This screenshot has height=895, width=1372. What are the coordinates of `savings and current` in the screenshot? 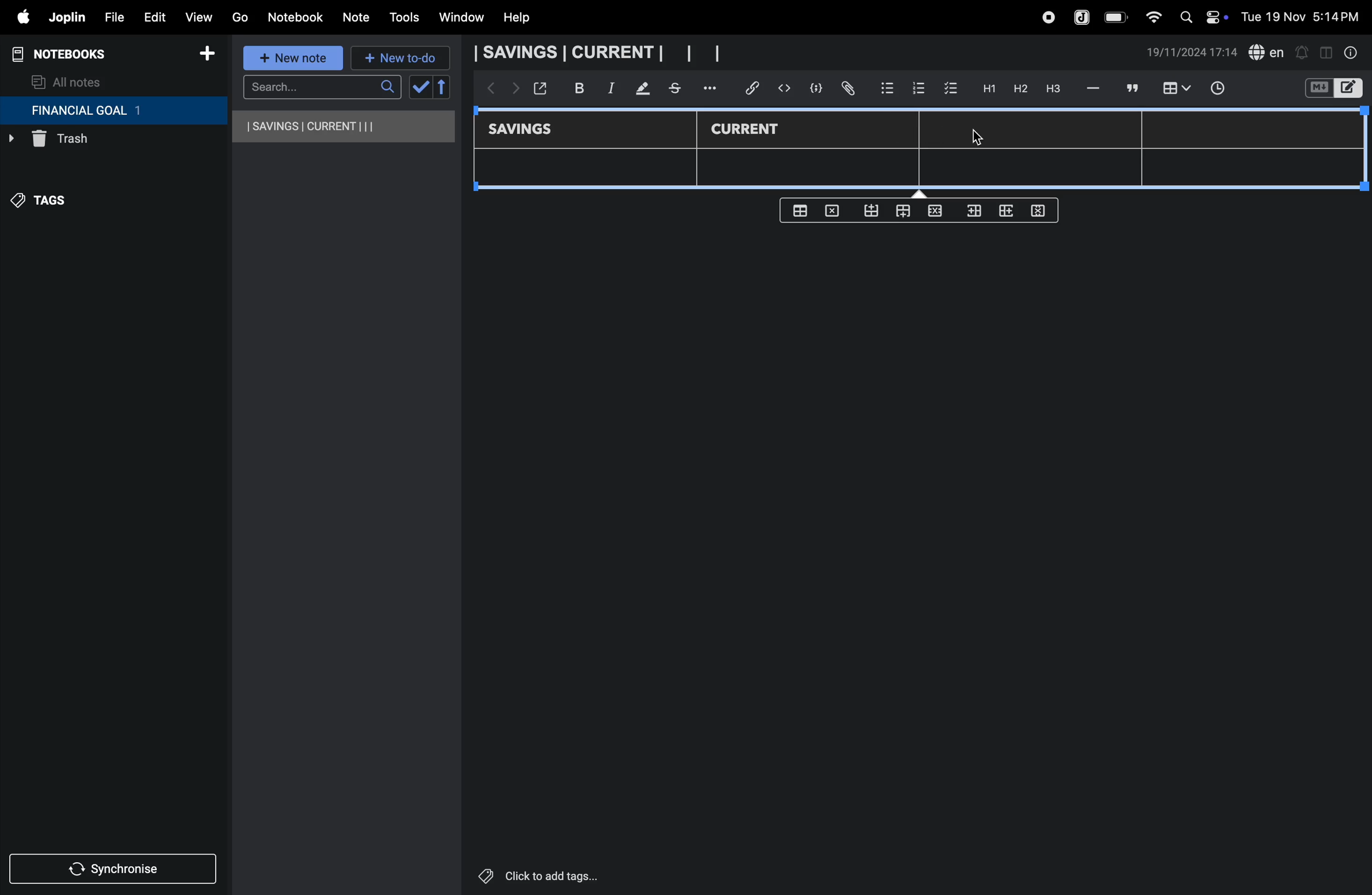 It's located at (597, 53).